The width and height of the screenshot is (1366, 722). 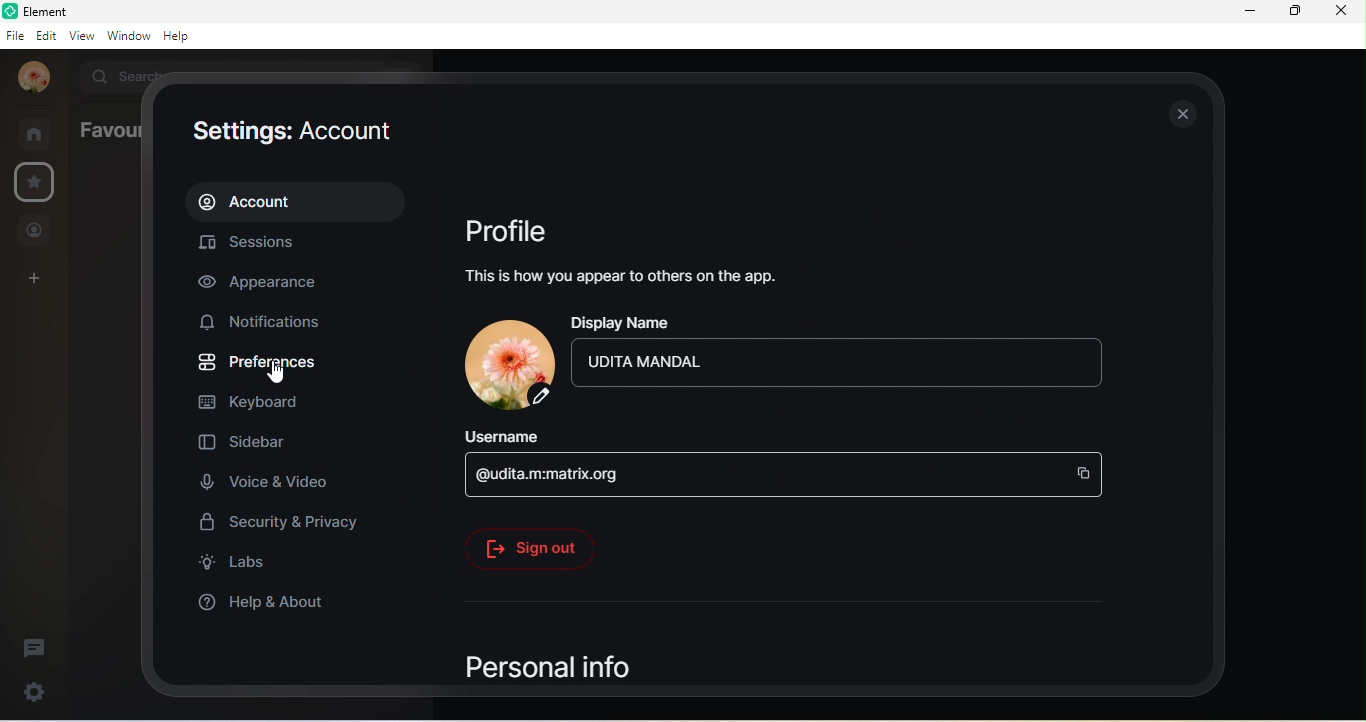 I want to click on account, so click(x=299, y=199).